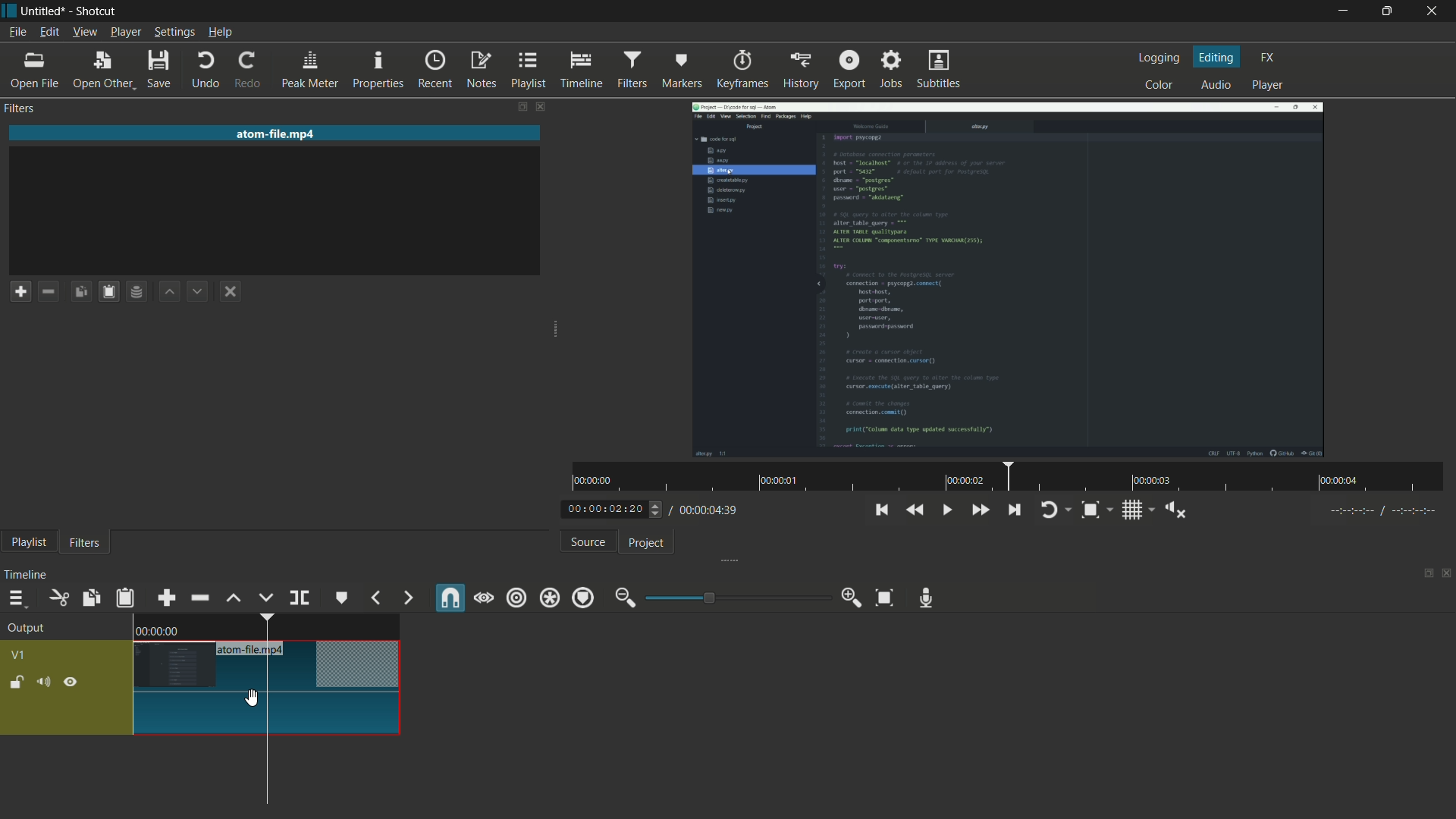  I want to click on markers, so click(683, 71).